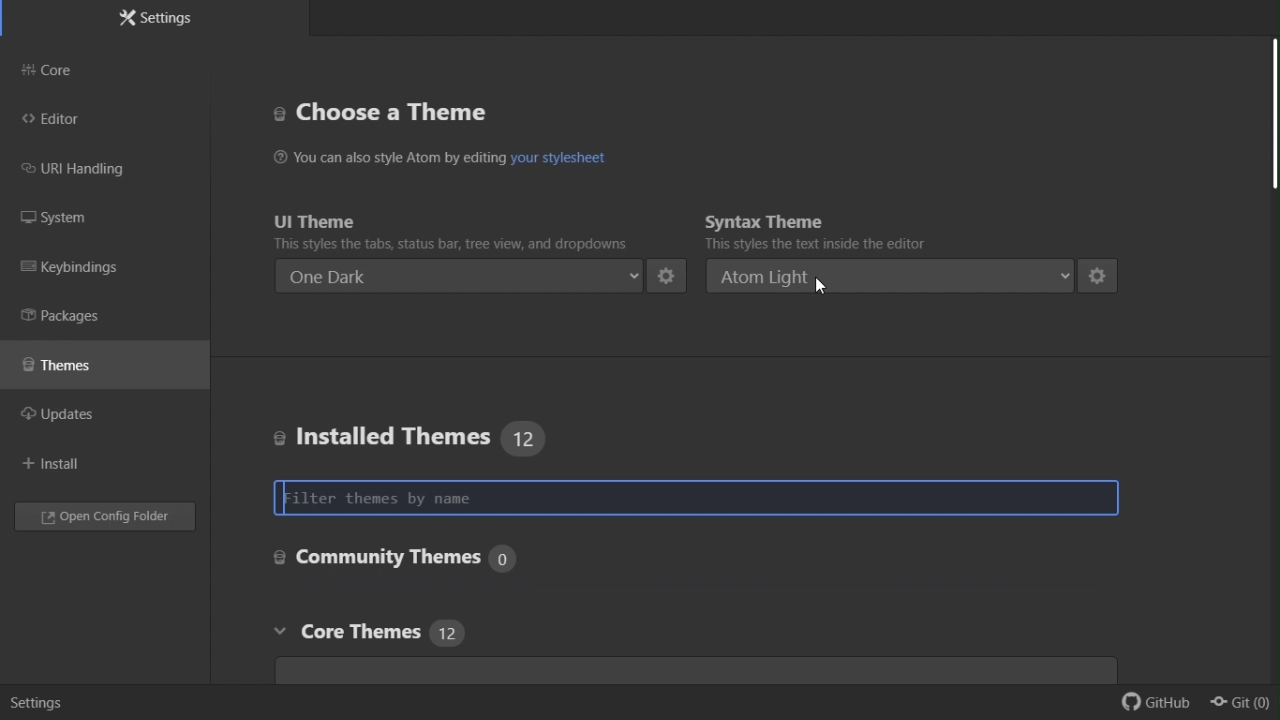 This screenshot has width=1280, height=720. What do you see at coordinates (72, 417) in the screenshot?
I see `updates` at bounding box center [72, 417].